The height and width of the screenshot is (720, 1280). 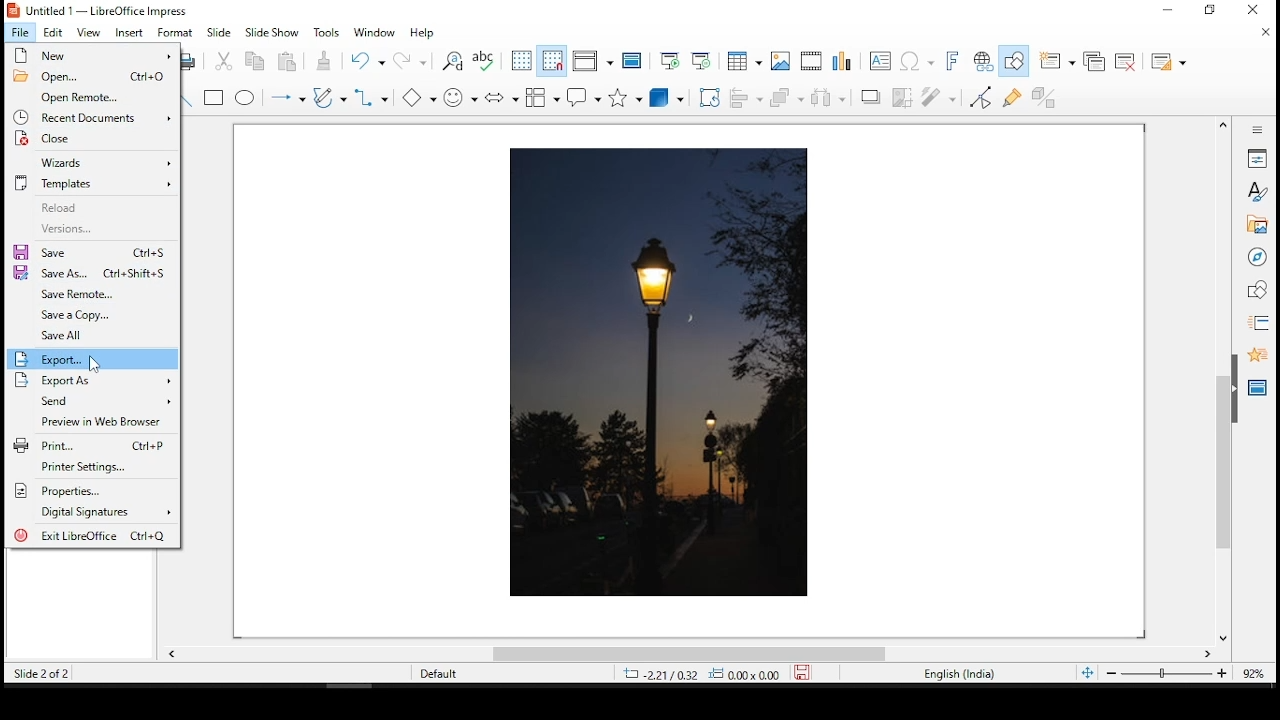 What do you see at coordinates (871, 98) in the screenshot?
I see `shadow` at bounding box center [871, 98].